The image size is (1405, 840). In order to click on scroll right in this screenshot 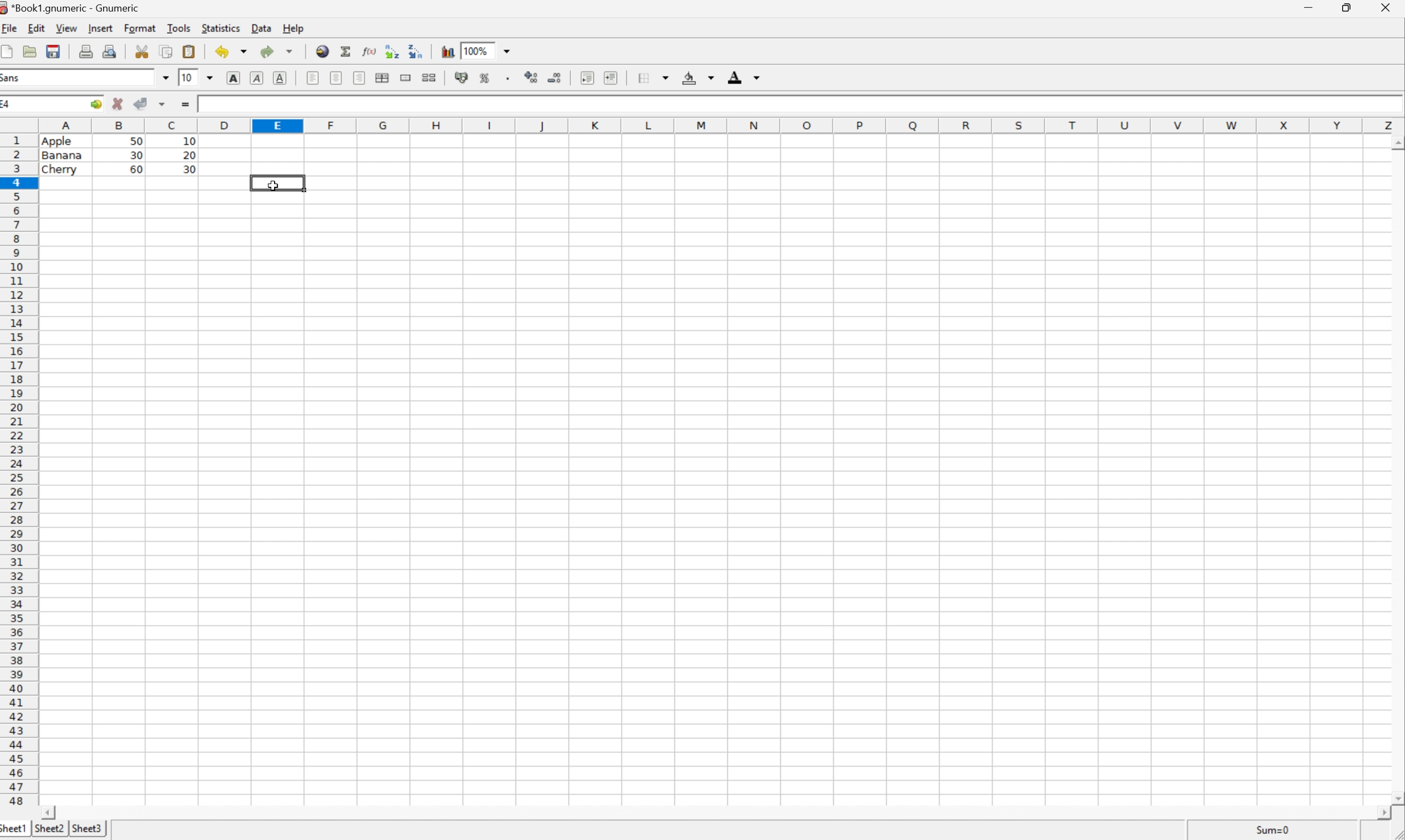, I will do `click(1381, 813)`.